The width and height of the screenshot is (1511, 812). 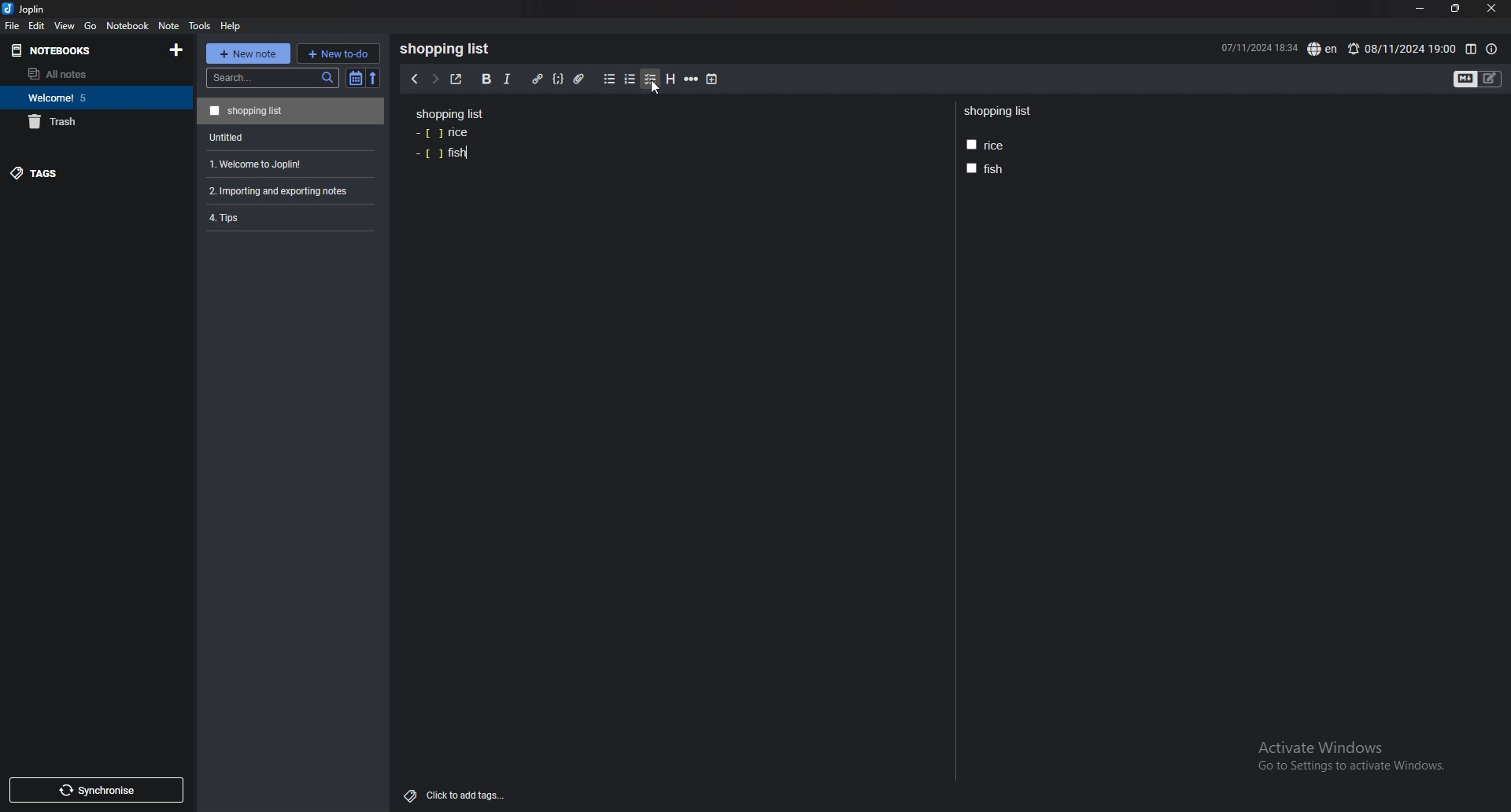 I want to click on Cursor, so click(x=653, y=88).